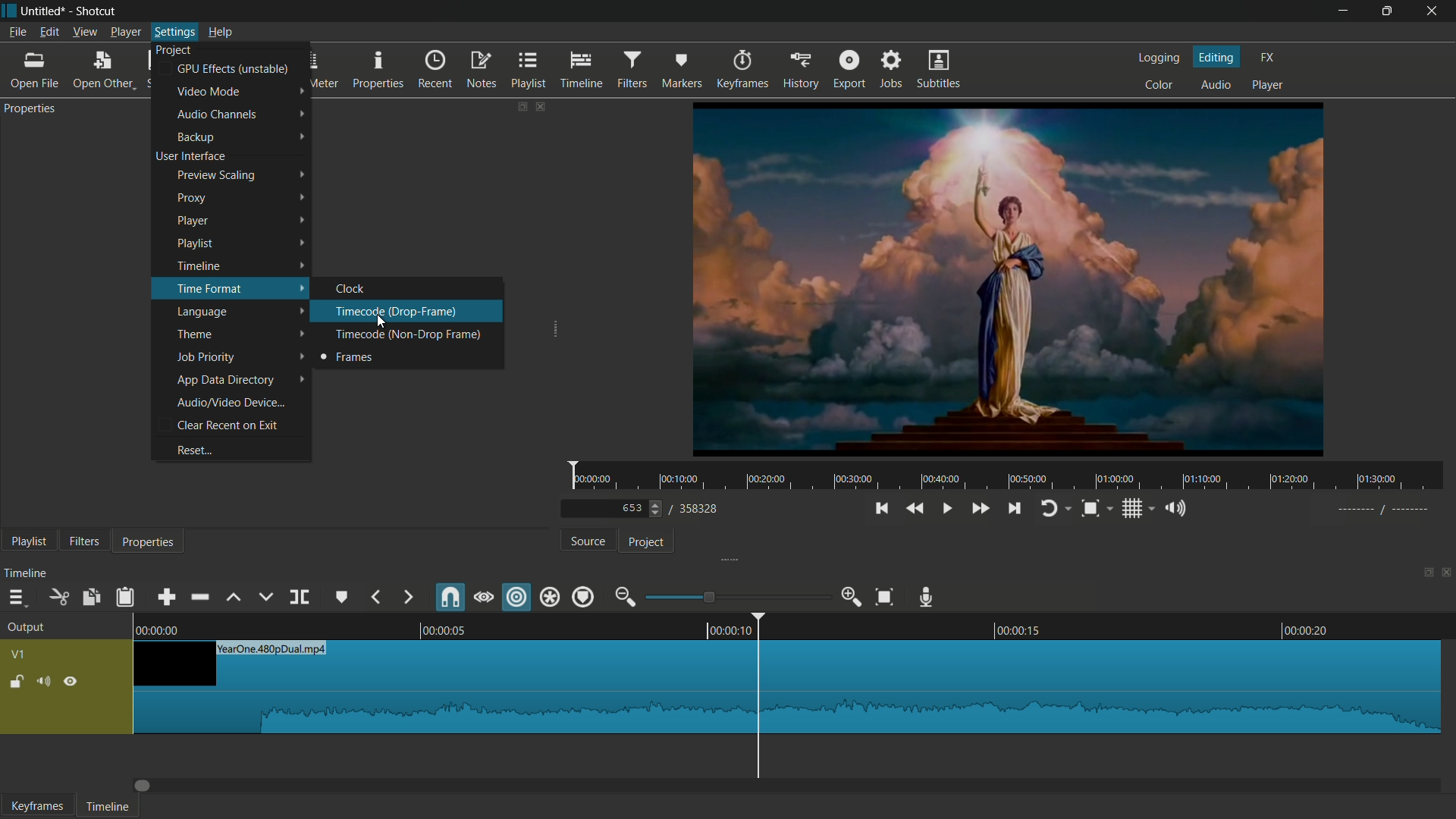 Image resolution: width=1456 pixels, height=819 pixels. I want to click on file menu, so click(18, 32).